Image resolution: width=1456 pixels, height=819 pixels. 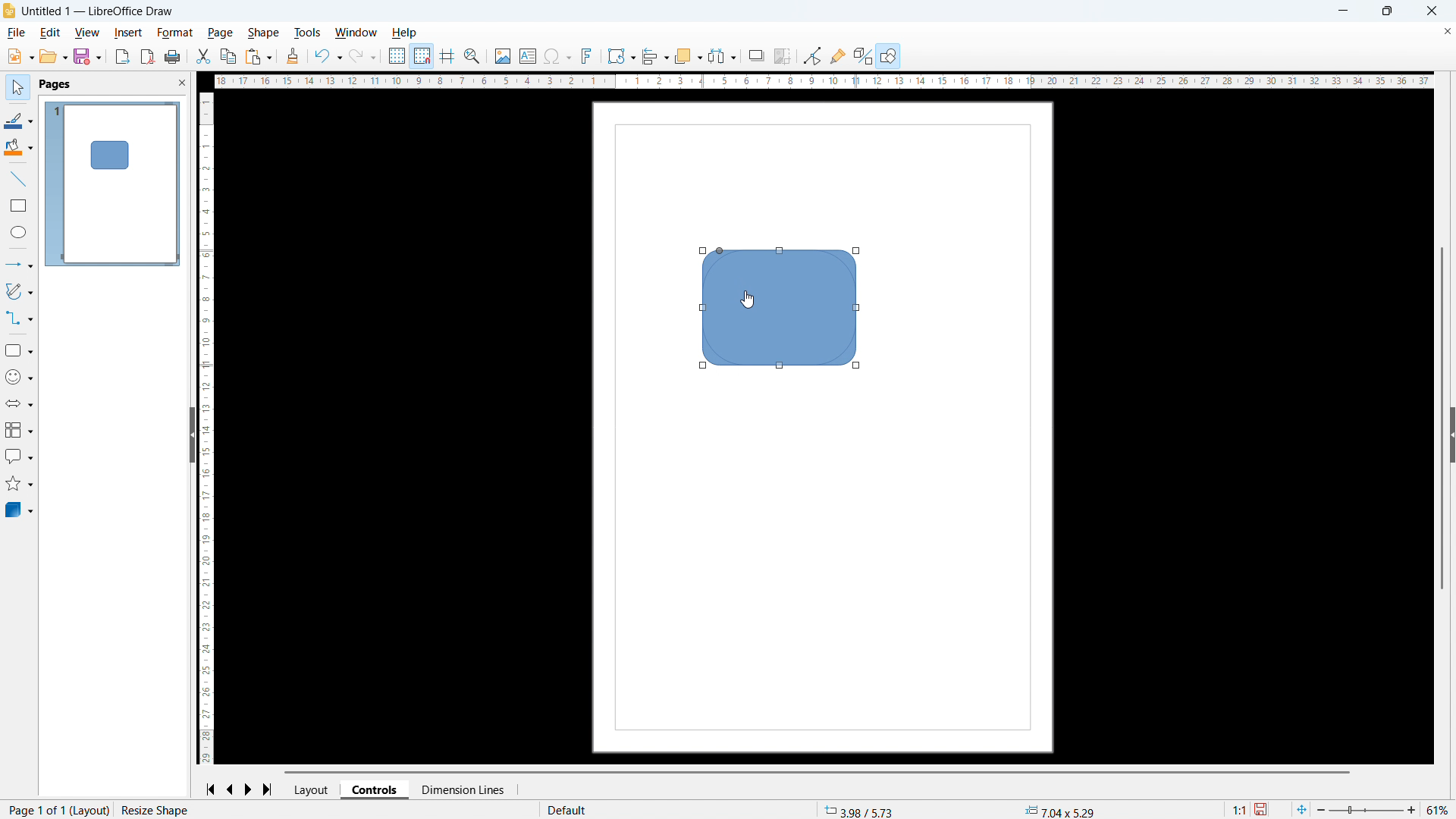 What do you see at coordinates (1431, 11) in the screenshot?
I see `close ` at bounding box center [1431, 11].